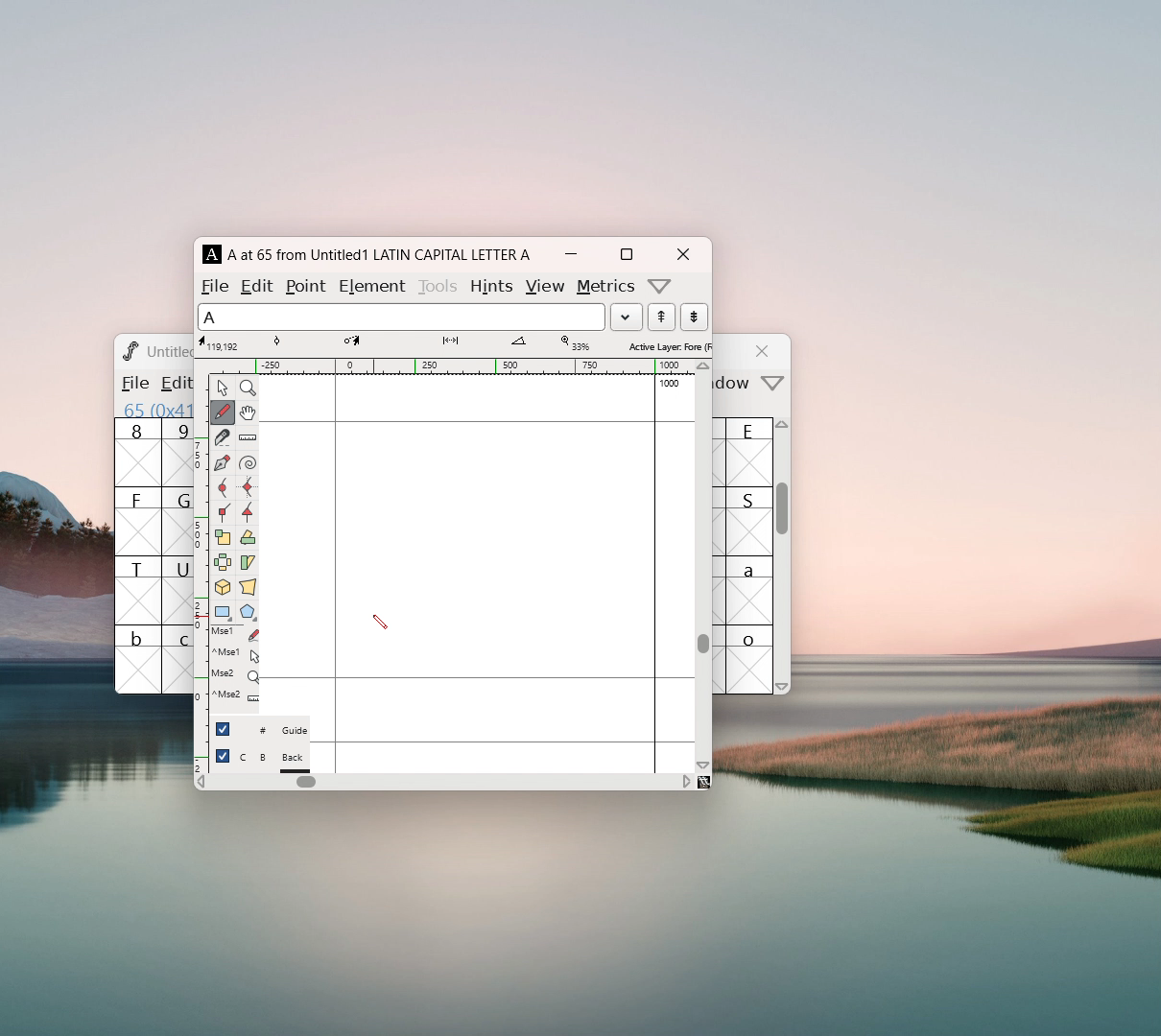 The height and width of the screenshot is (1036, 1161). What do you see at coordinates (201, 572) in the screenshot?
I see `vertical ruler` at bounding box center [201, 572].